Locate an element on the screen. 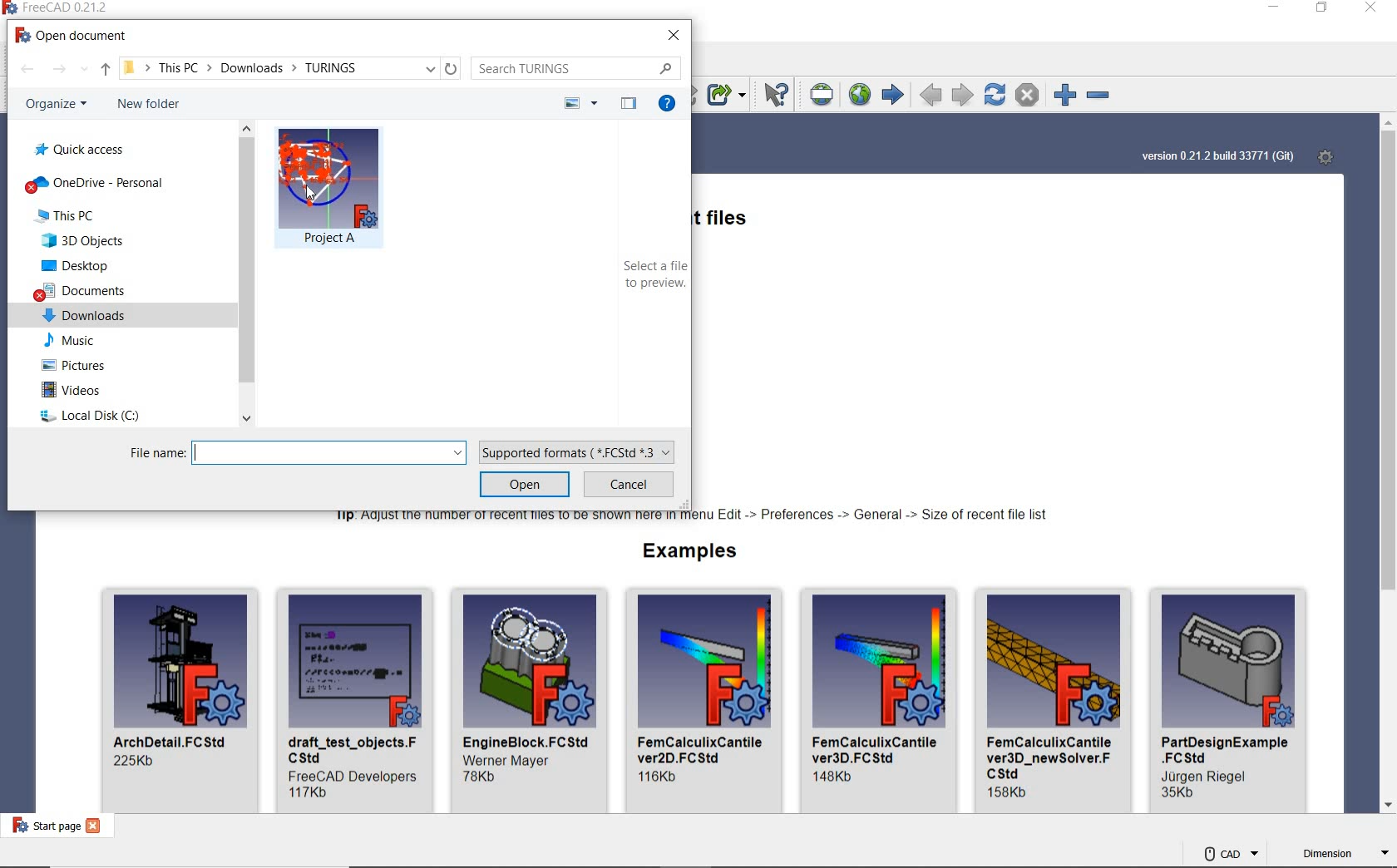 This screenshot has width=1397, height=868. UP TO is located at coordinates (106, 70).